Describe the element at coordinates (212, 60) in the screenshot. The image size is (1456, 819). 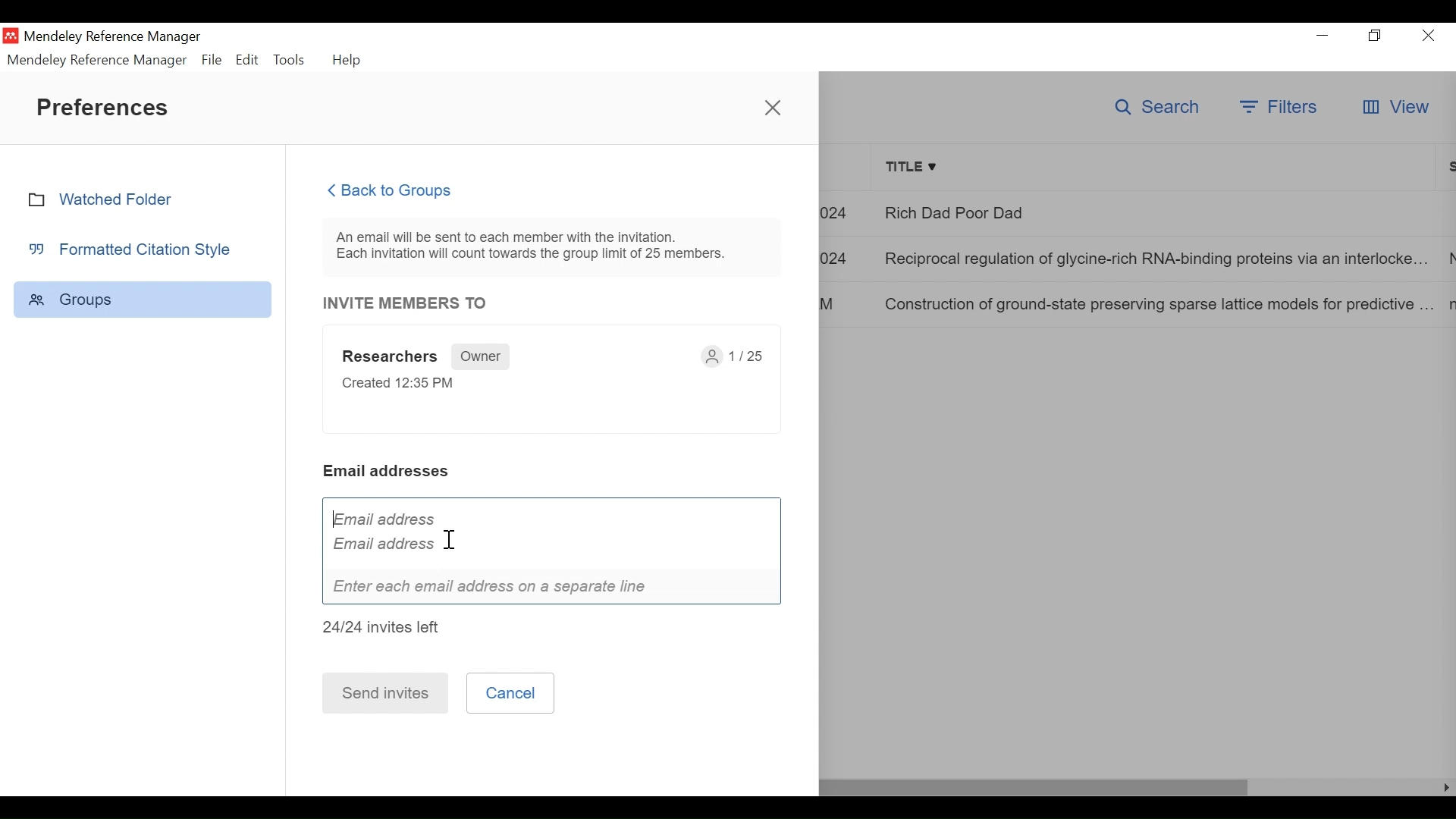
I see `File` at that location.